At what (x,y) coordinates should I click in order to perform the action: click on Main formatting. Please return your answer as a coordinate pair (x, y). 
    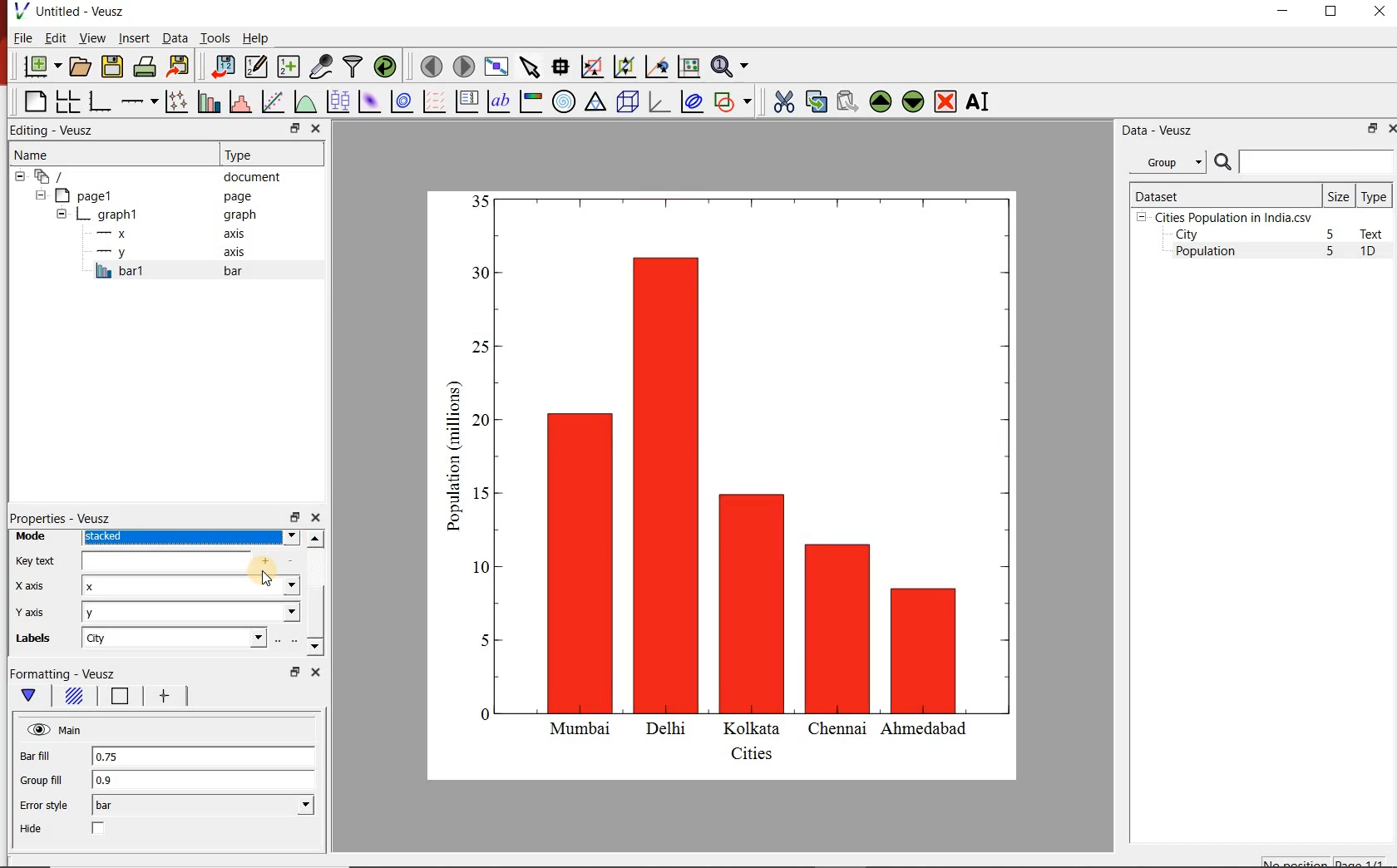
    Looking at the image, I should click on (32, 696).